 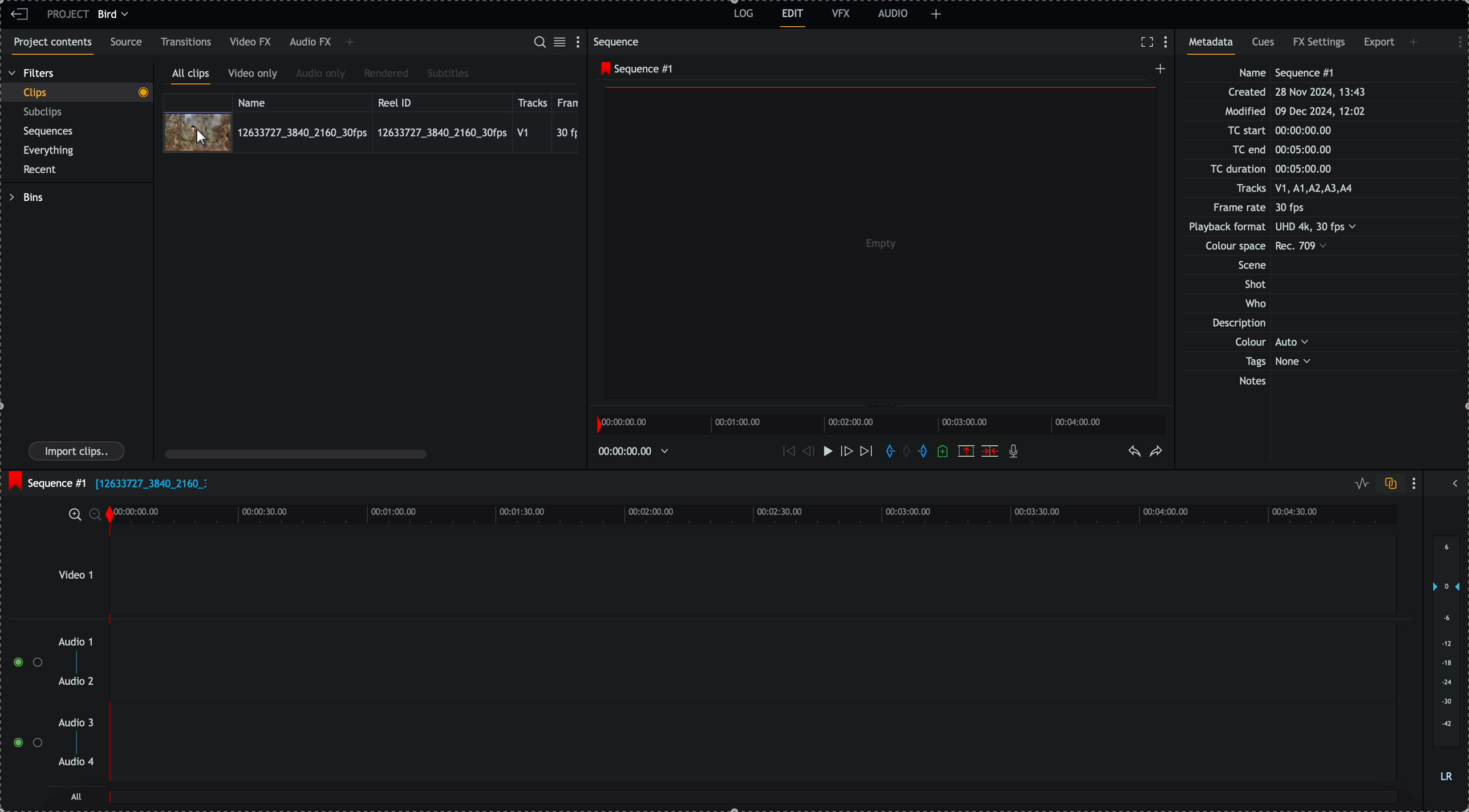 I want to click on clear marks, so click(x=910, y=452).